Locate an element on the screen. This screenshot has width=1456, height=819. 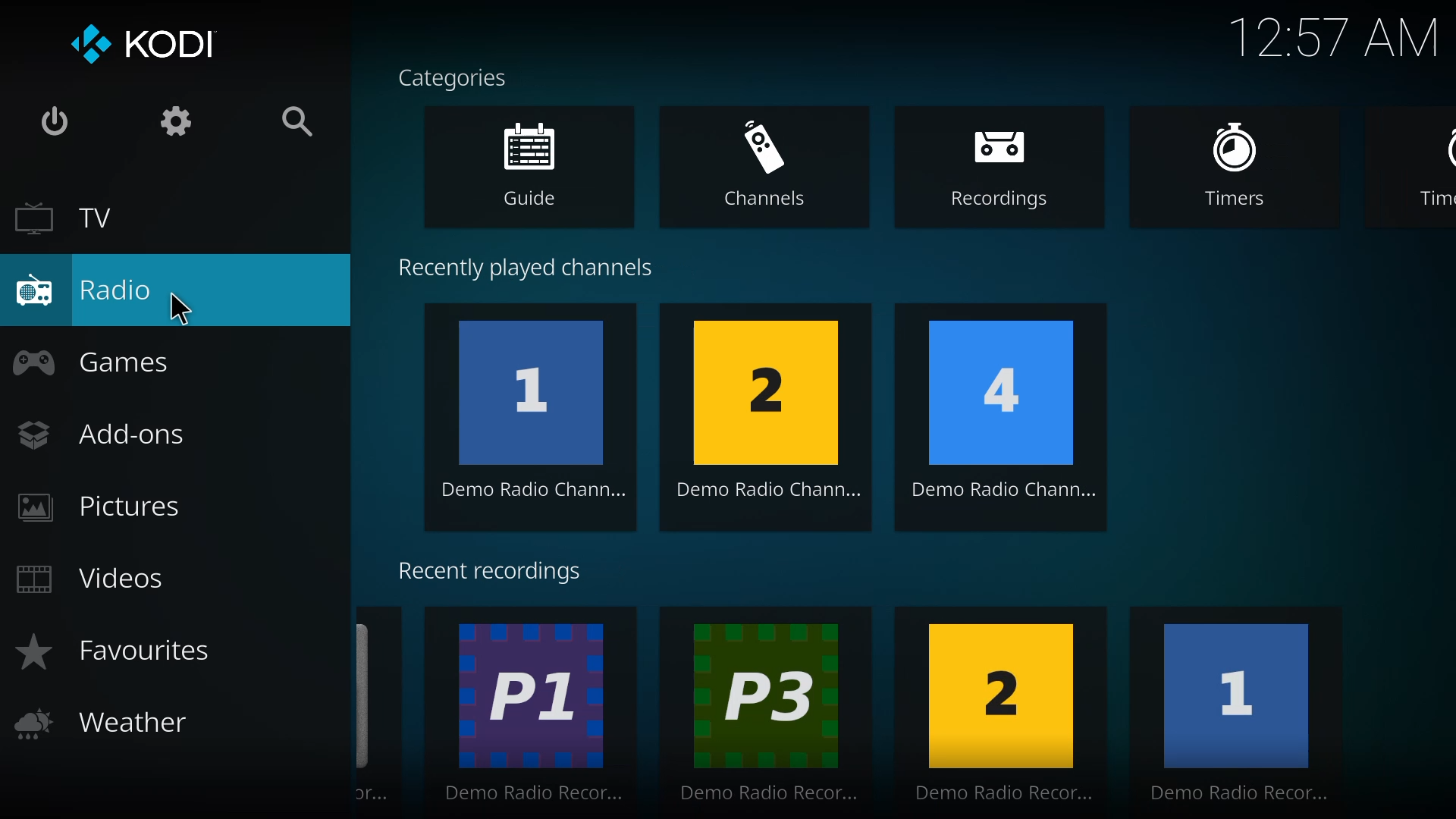
categories is located at coordinates (451, 76).